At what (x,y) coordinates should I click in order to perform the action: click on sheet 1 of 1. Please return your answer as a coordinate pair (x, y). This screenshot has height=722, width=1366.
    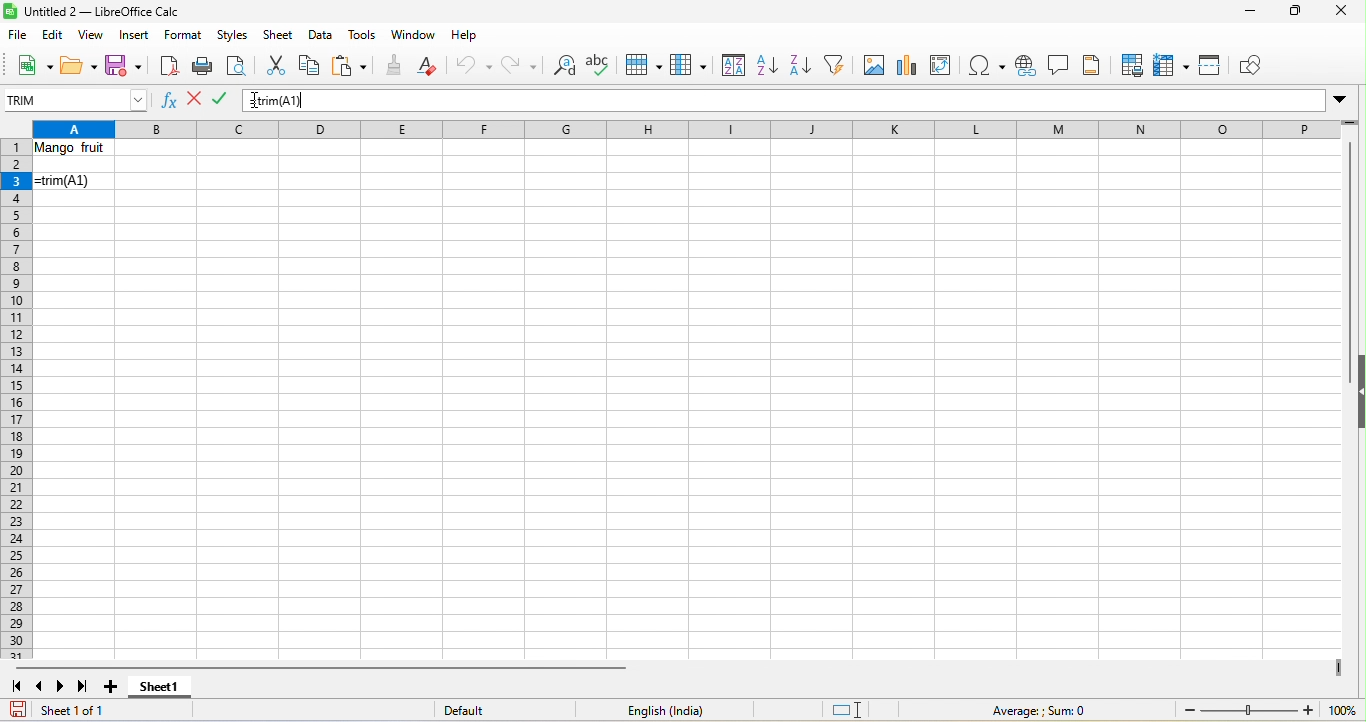
    Looking at the image, I should click on (66, 710).